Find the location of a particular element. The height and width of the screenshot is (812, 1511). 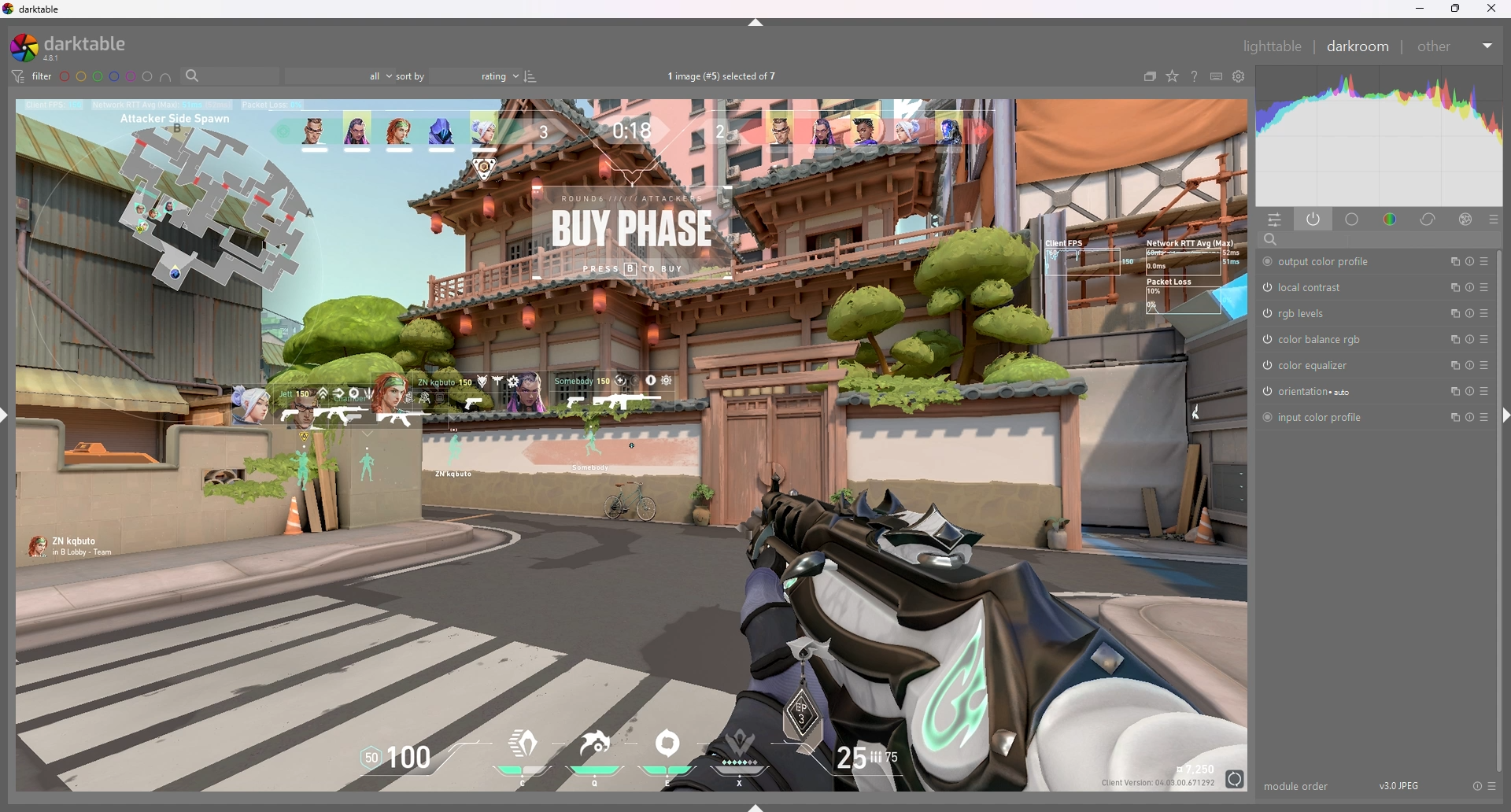

minimize is located at coordinates (1422, 9).